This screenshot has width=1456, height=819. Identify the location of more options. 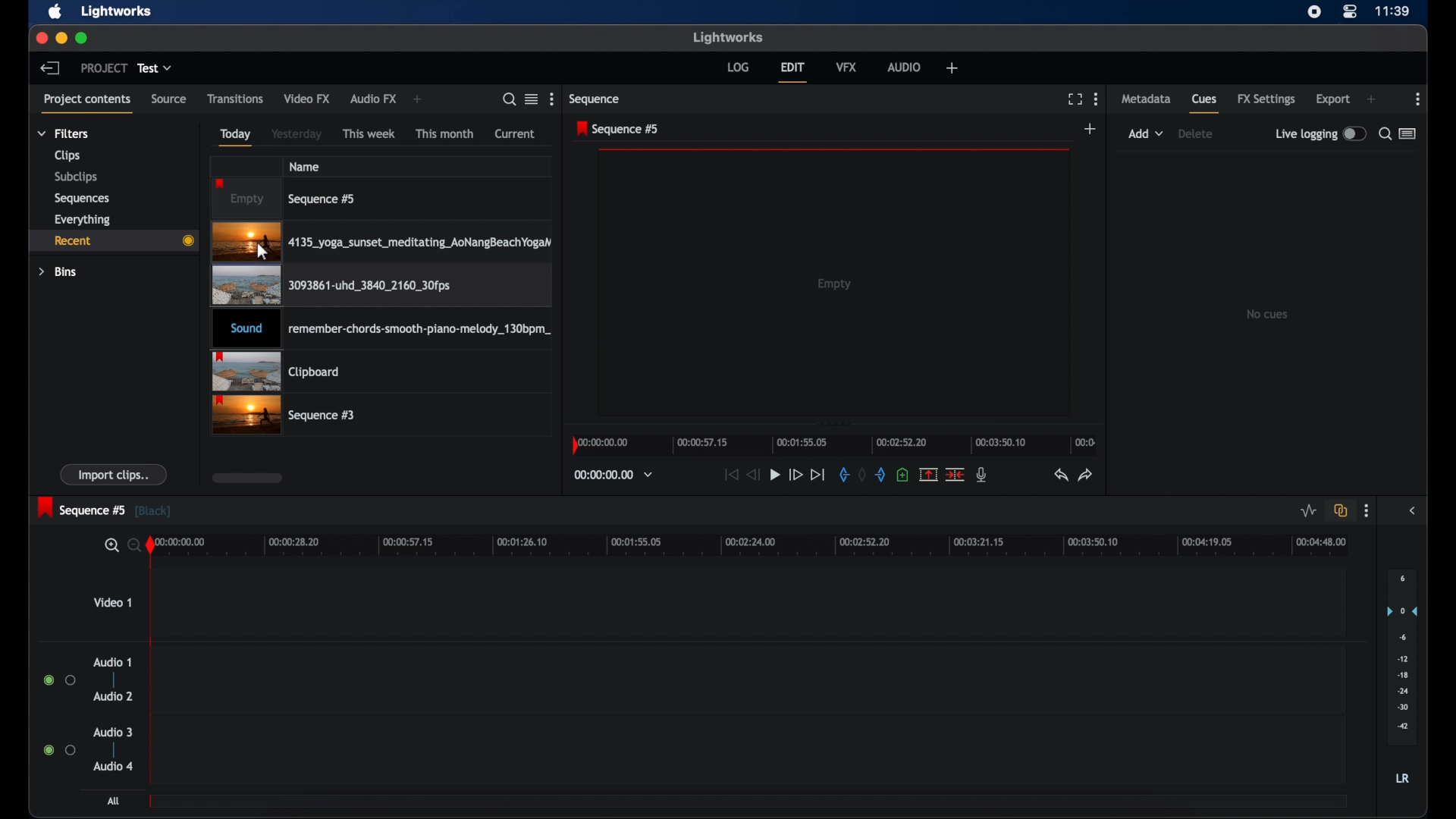
(1367, 512).